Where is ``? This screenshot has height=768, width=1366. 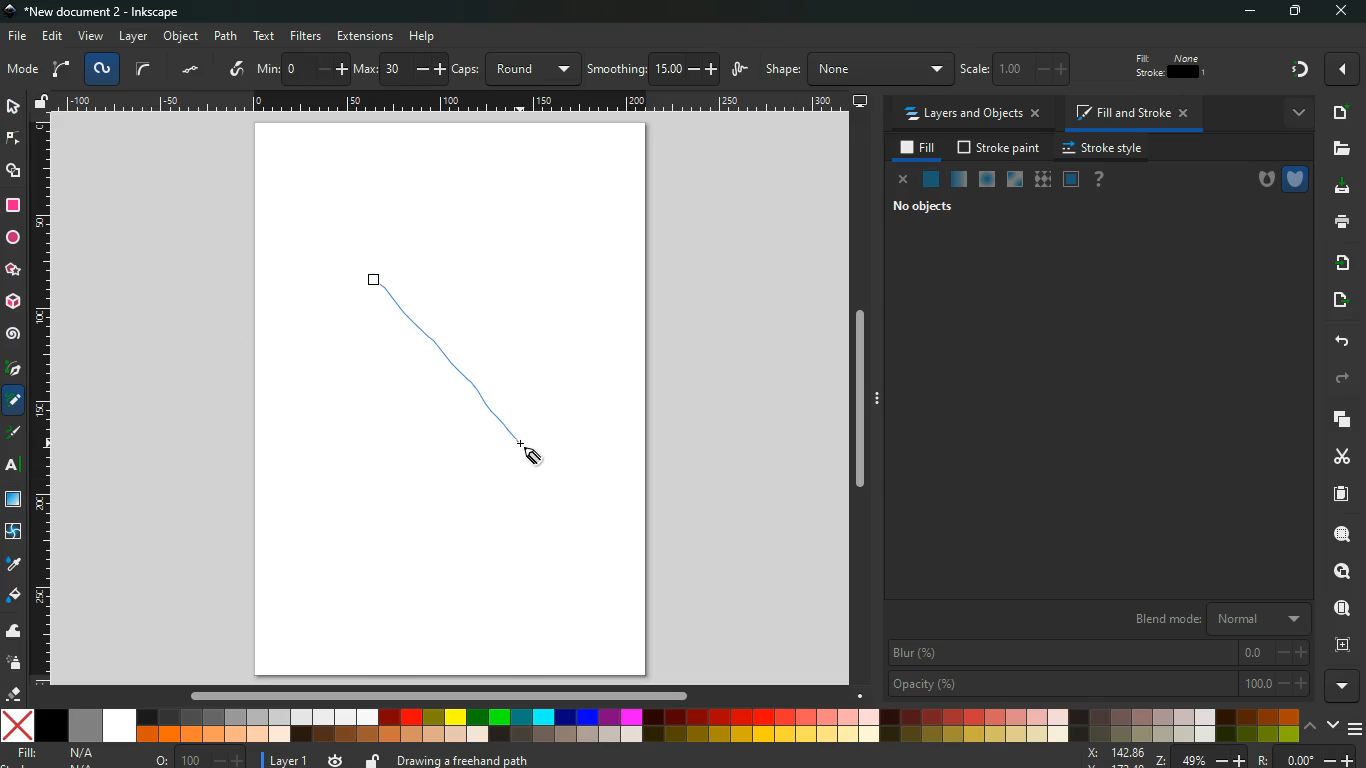
 is located at coordinates (453, 104).